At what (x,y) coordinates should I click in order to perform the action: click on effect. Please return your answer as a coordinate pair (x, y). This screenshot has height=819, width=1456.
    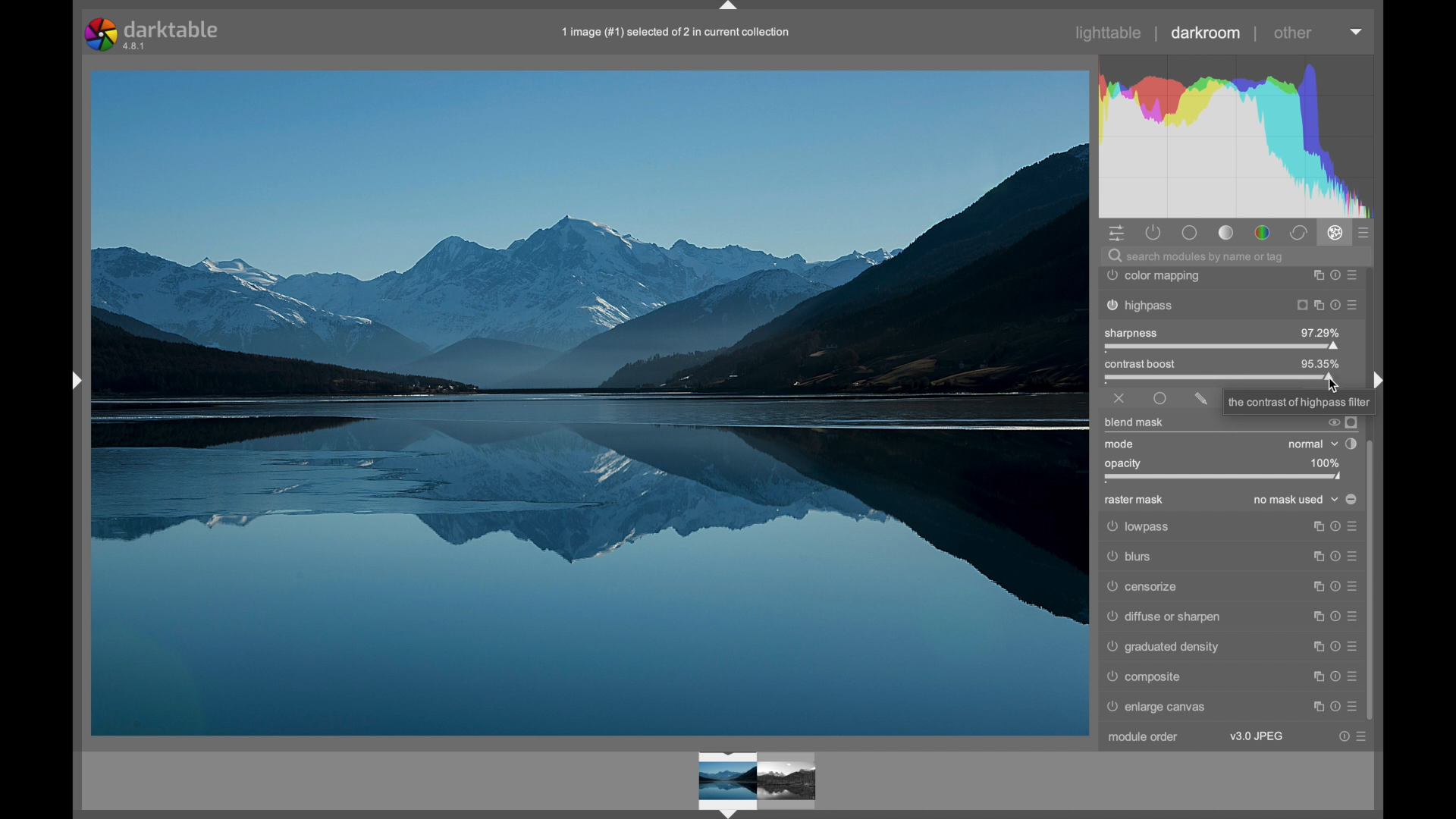
    Looking at the image, I should click on (1335, 233).